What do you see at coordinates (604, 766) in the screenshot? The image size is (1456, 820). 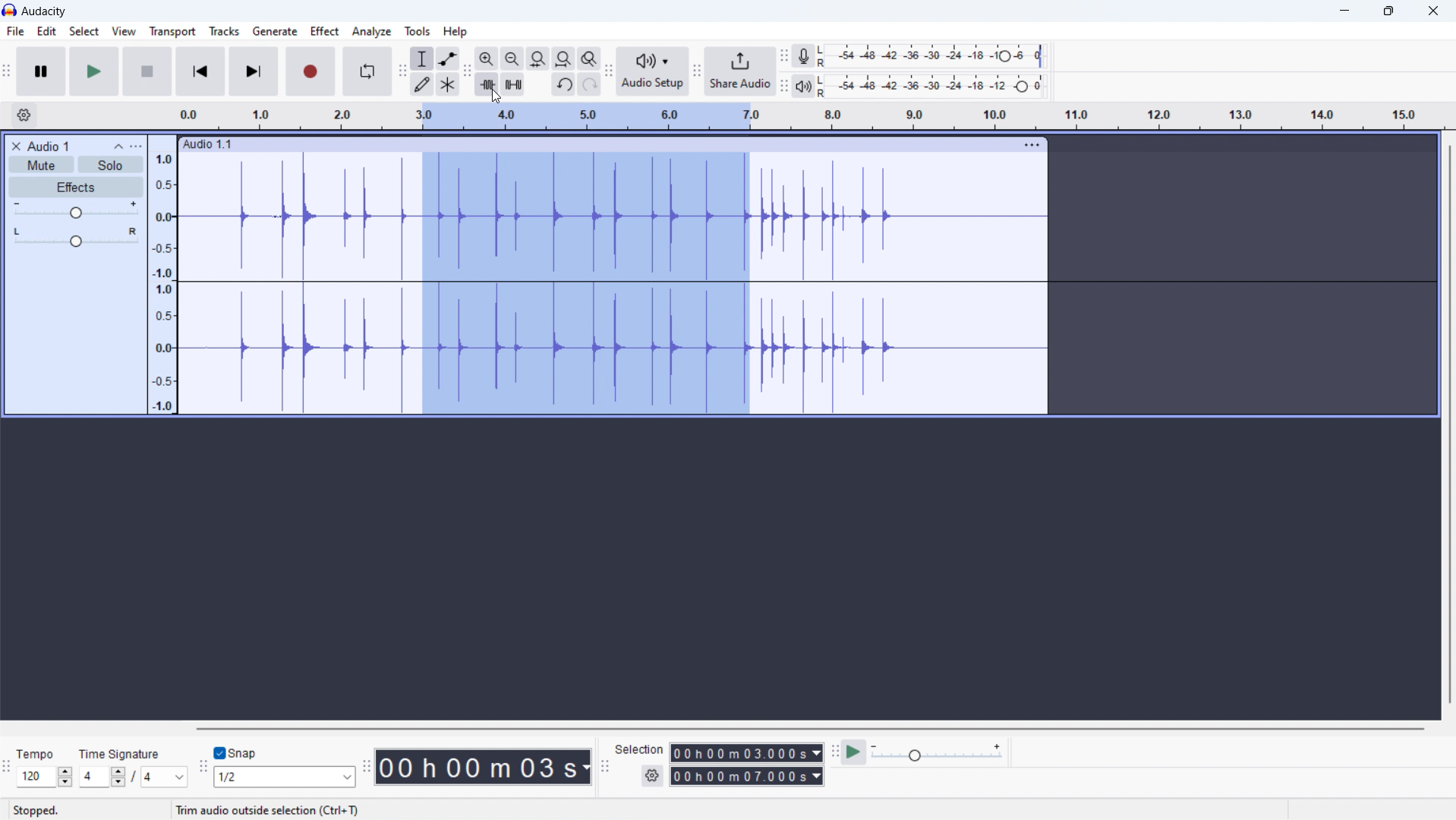 I see `selection toolbar` at bounding box center [604, 766].